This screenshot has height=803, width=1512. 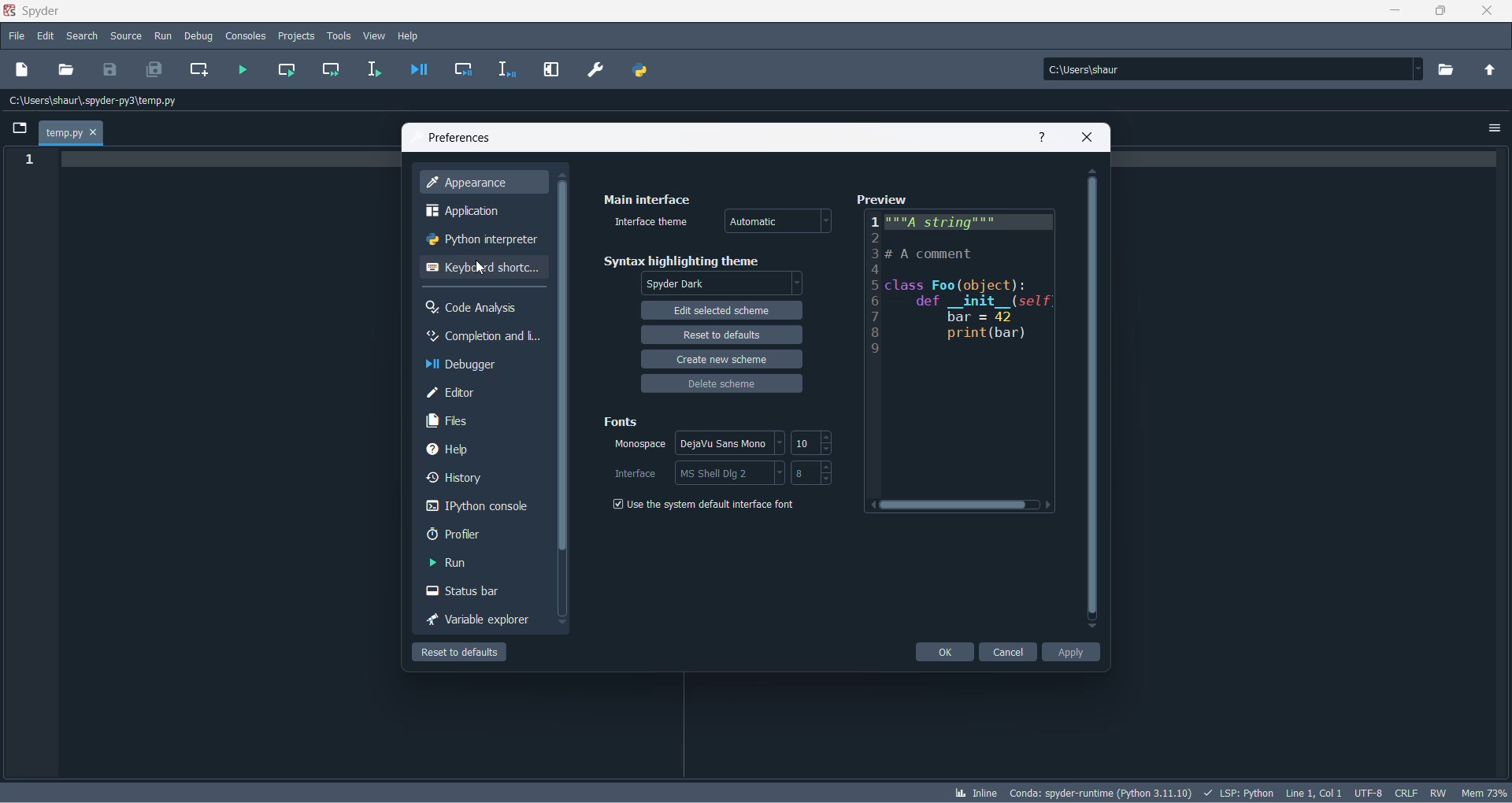 What do you see at coordinates (974, 792) in the screenshot?
I see `inline` at bounding box center [974, 792].